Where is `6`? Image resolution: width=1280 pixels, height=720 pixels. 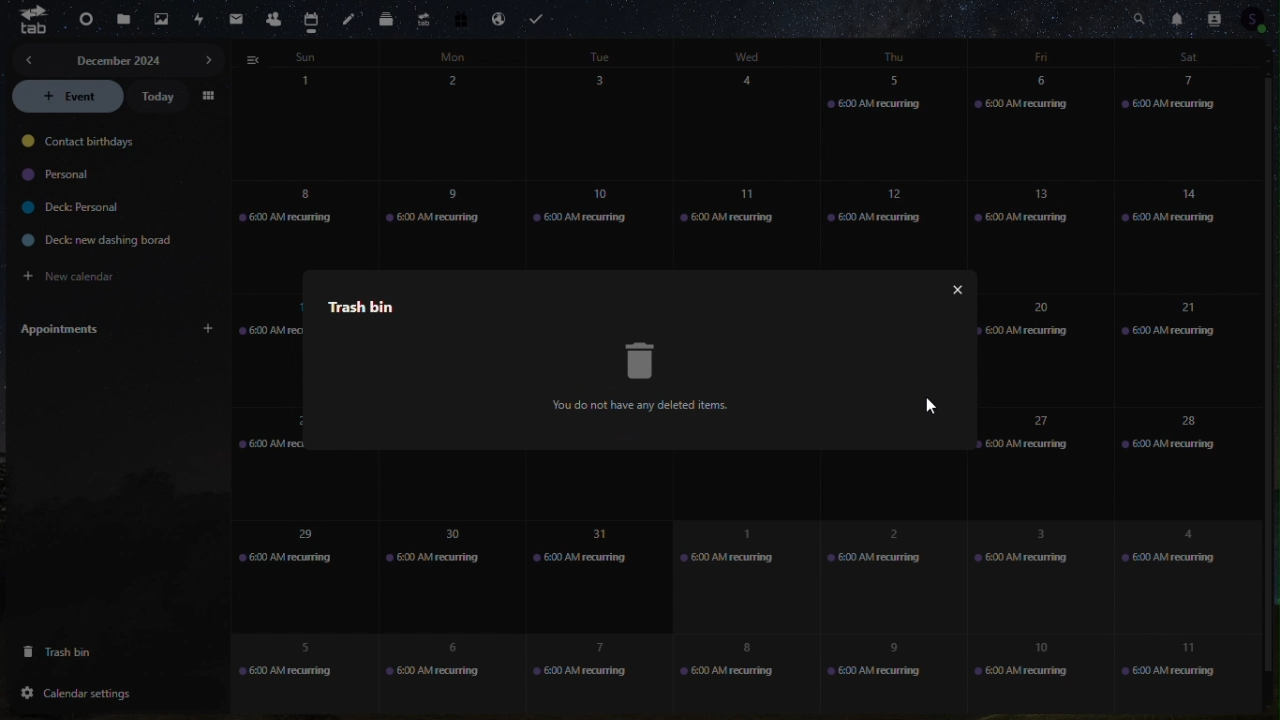 6 is located at coordinates (435, 669).